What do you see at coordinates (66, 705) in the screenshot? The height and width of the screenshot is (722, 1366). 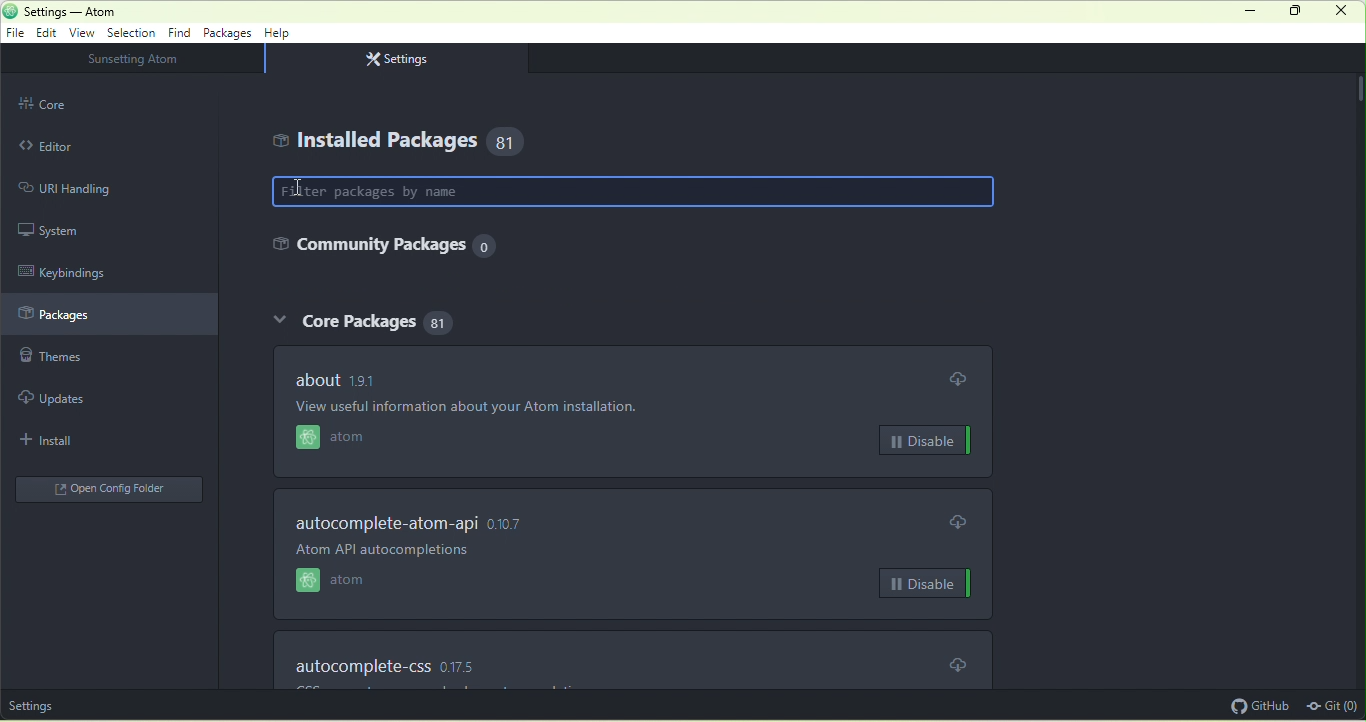 I see `sunsetting atom` at bounding box center [66, 705].